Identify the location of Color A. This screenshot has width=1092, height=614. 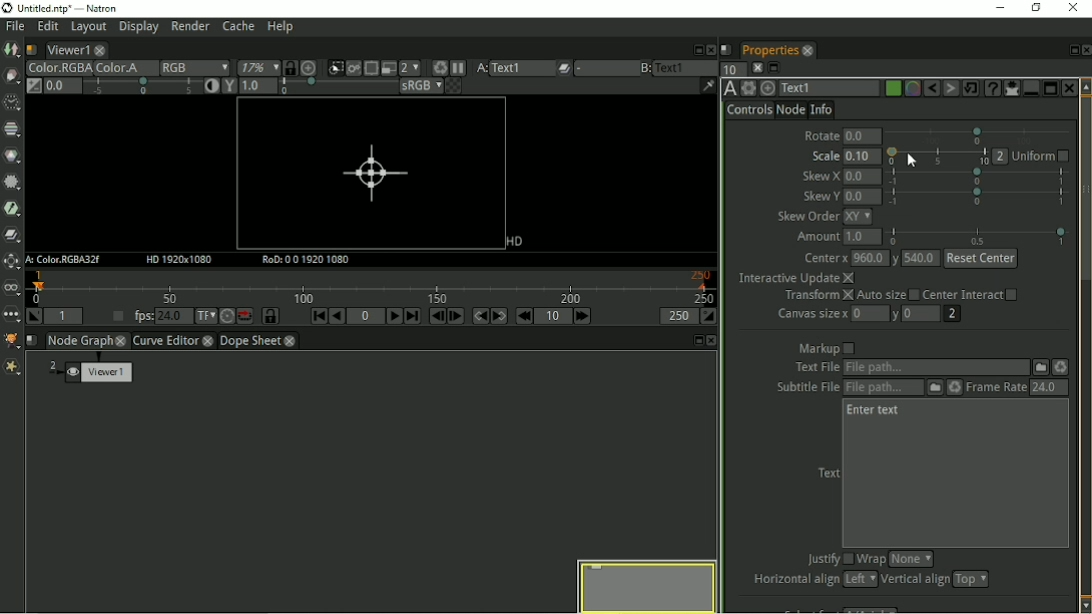
(119, 68).